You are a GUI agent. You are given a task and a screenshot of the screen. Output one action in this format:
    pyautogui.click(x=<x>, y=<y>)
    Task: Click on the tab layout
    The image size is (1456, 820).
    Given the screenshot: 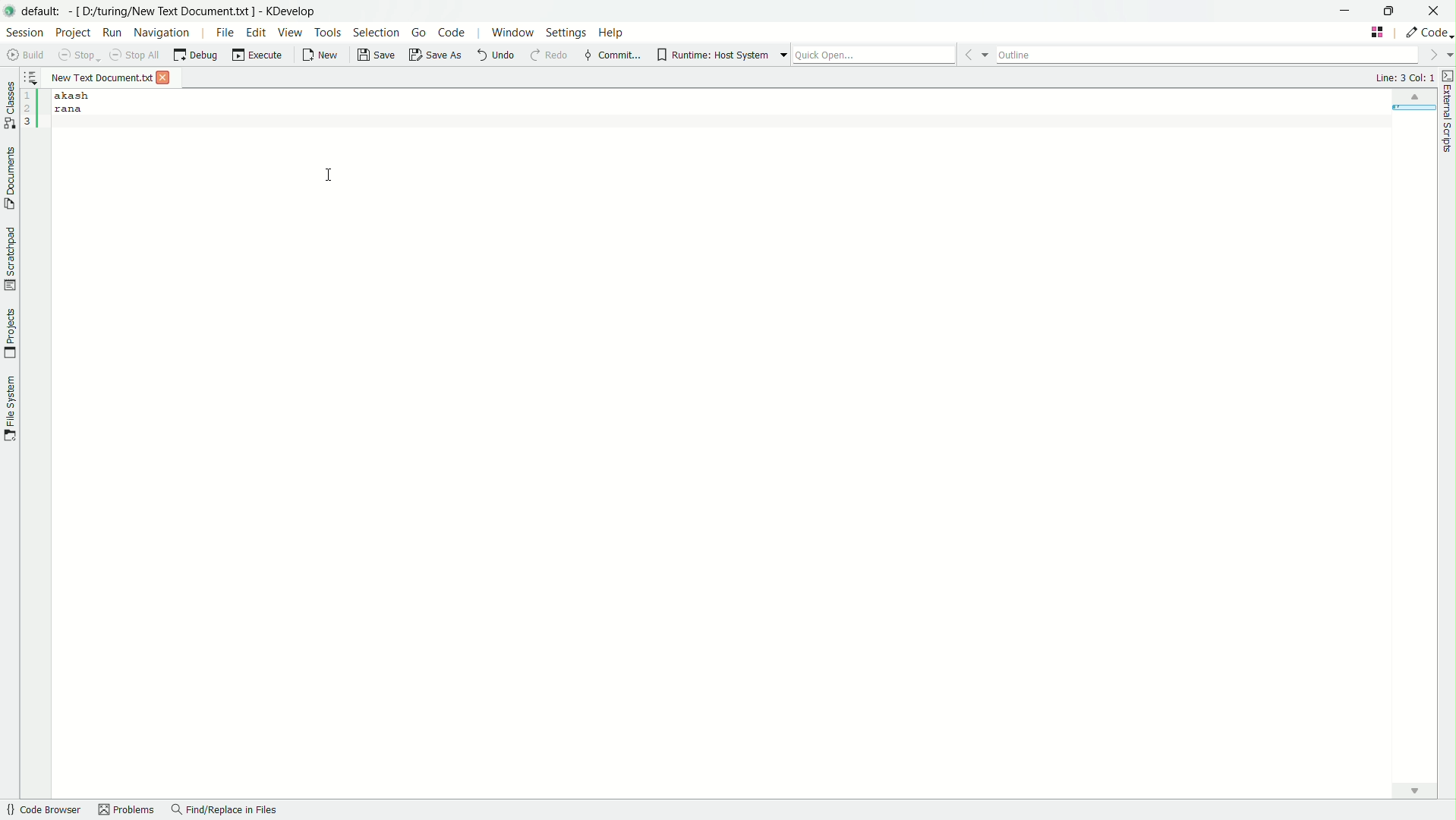 What is the action you would take?
    pyautogui.click(x=1379, y=31)
    